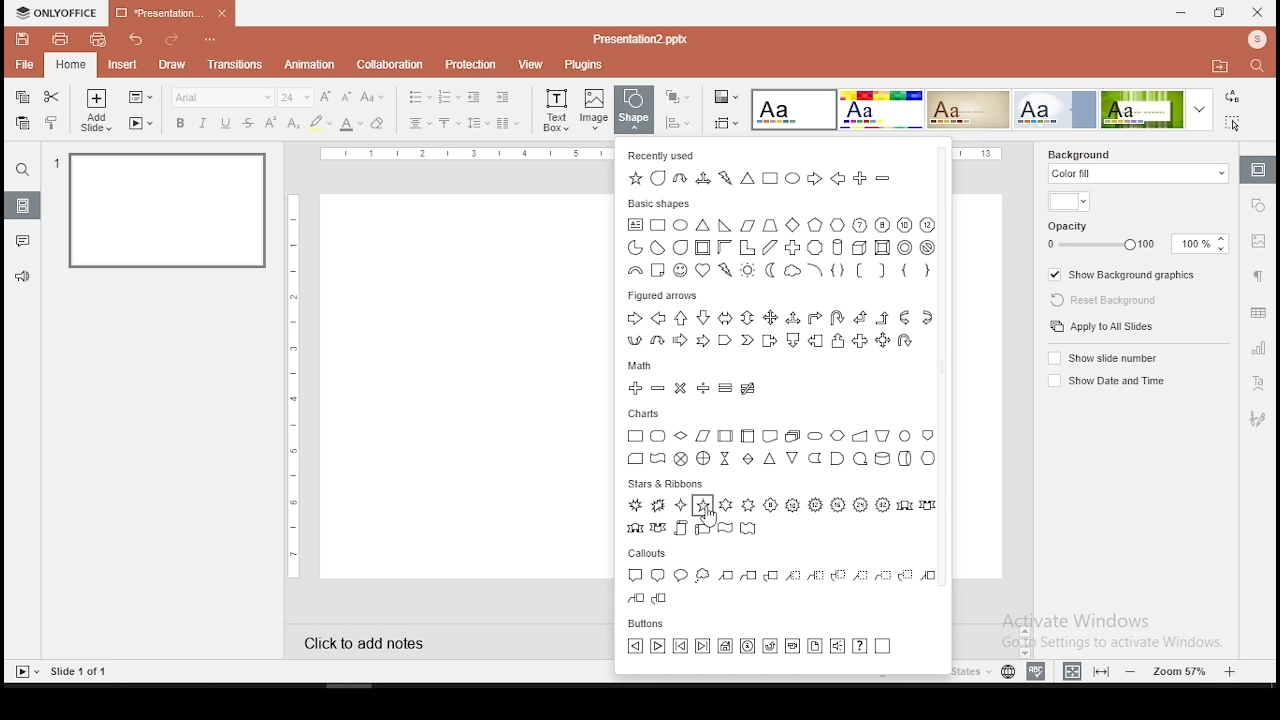 Image resolution: width=1280 pixels, height=720 pixels. Describe the element at coordinates (727, 98) in the screenshot. I see `select color theme` at that location.